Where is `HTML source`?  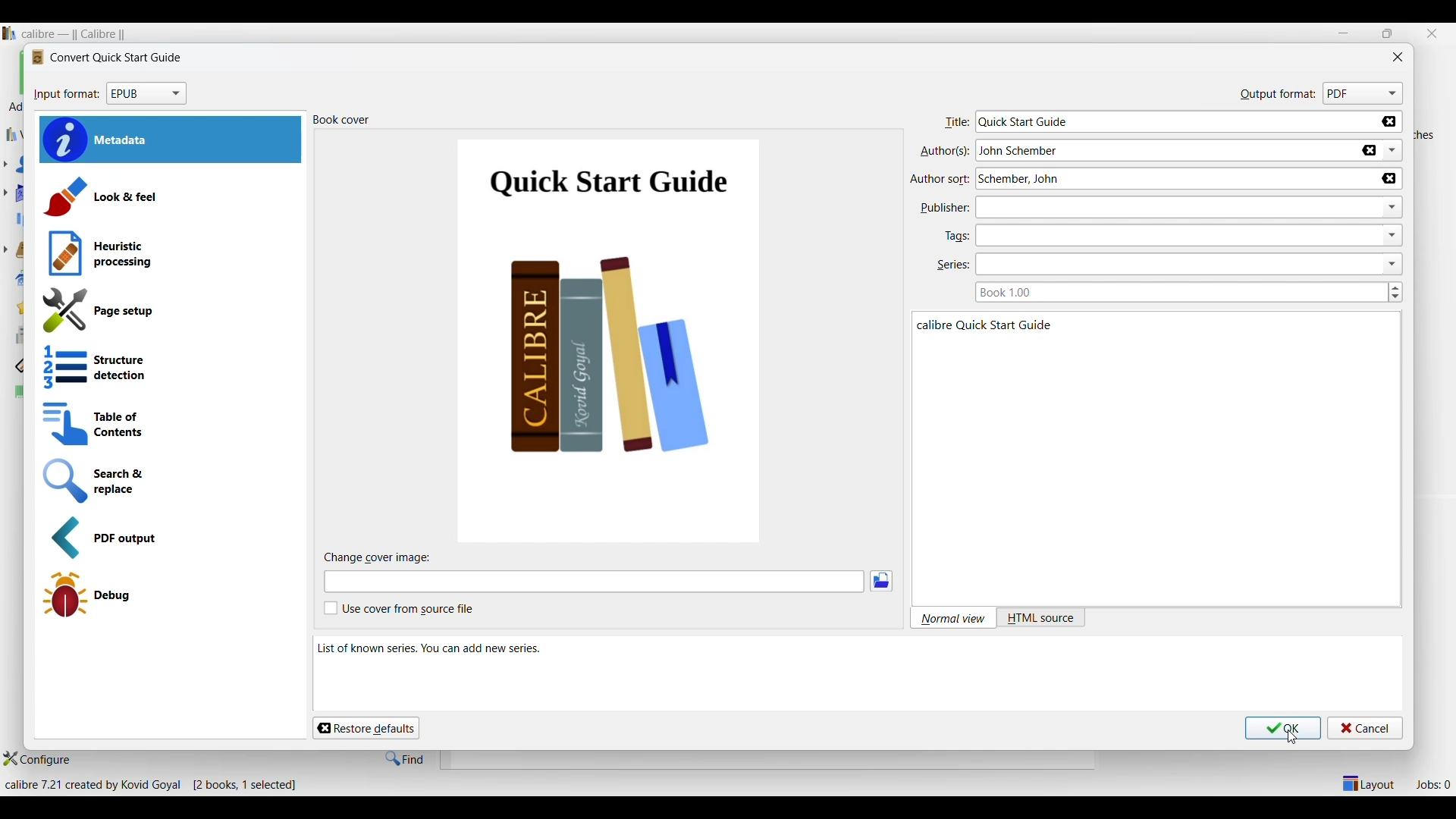
HTML source is located at coordinates (1042, 619).